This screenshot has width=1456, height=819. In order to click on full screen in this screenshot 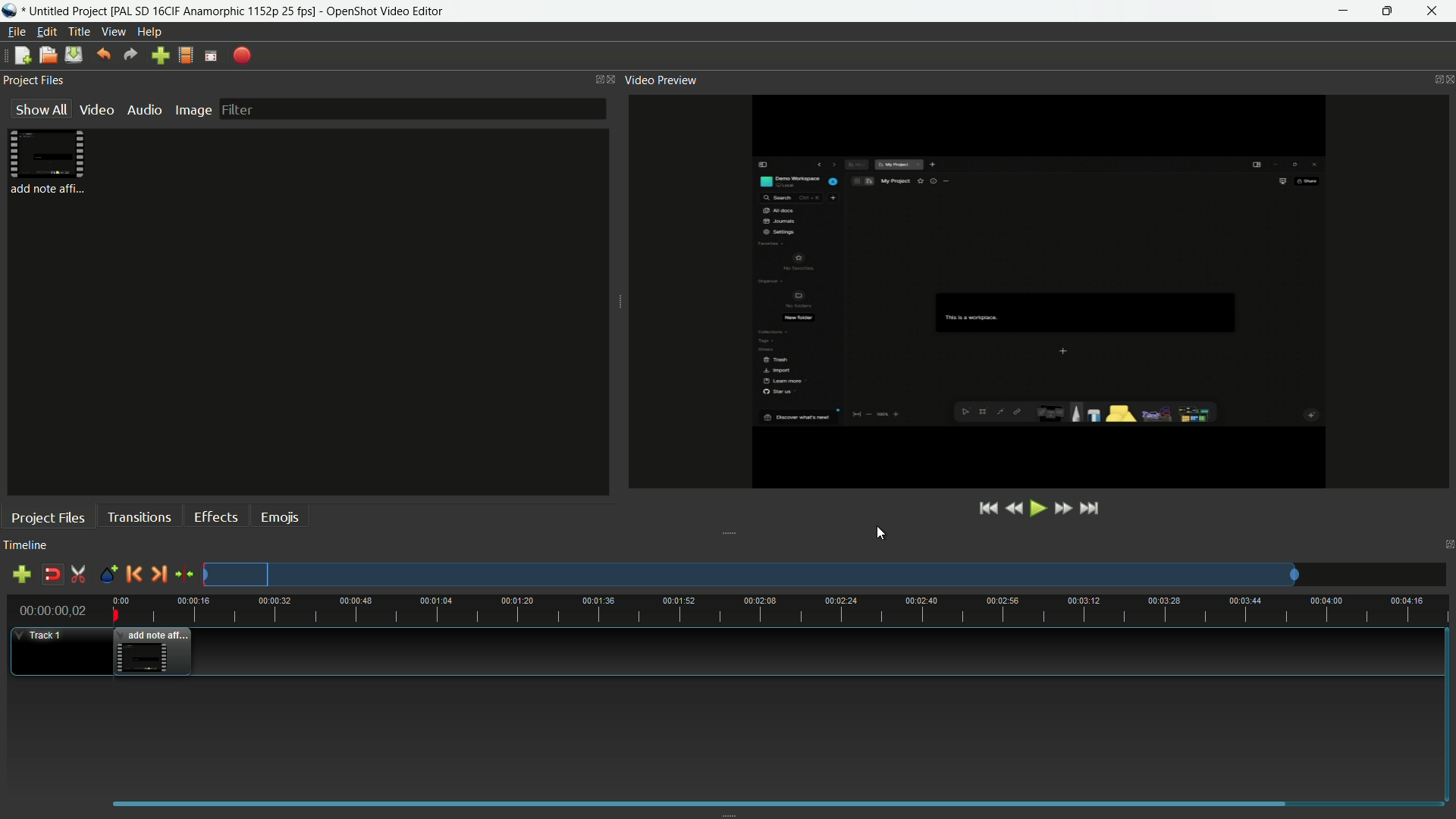, I will do `click(212, 56)`.